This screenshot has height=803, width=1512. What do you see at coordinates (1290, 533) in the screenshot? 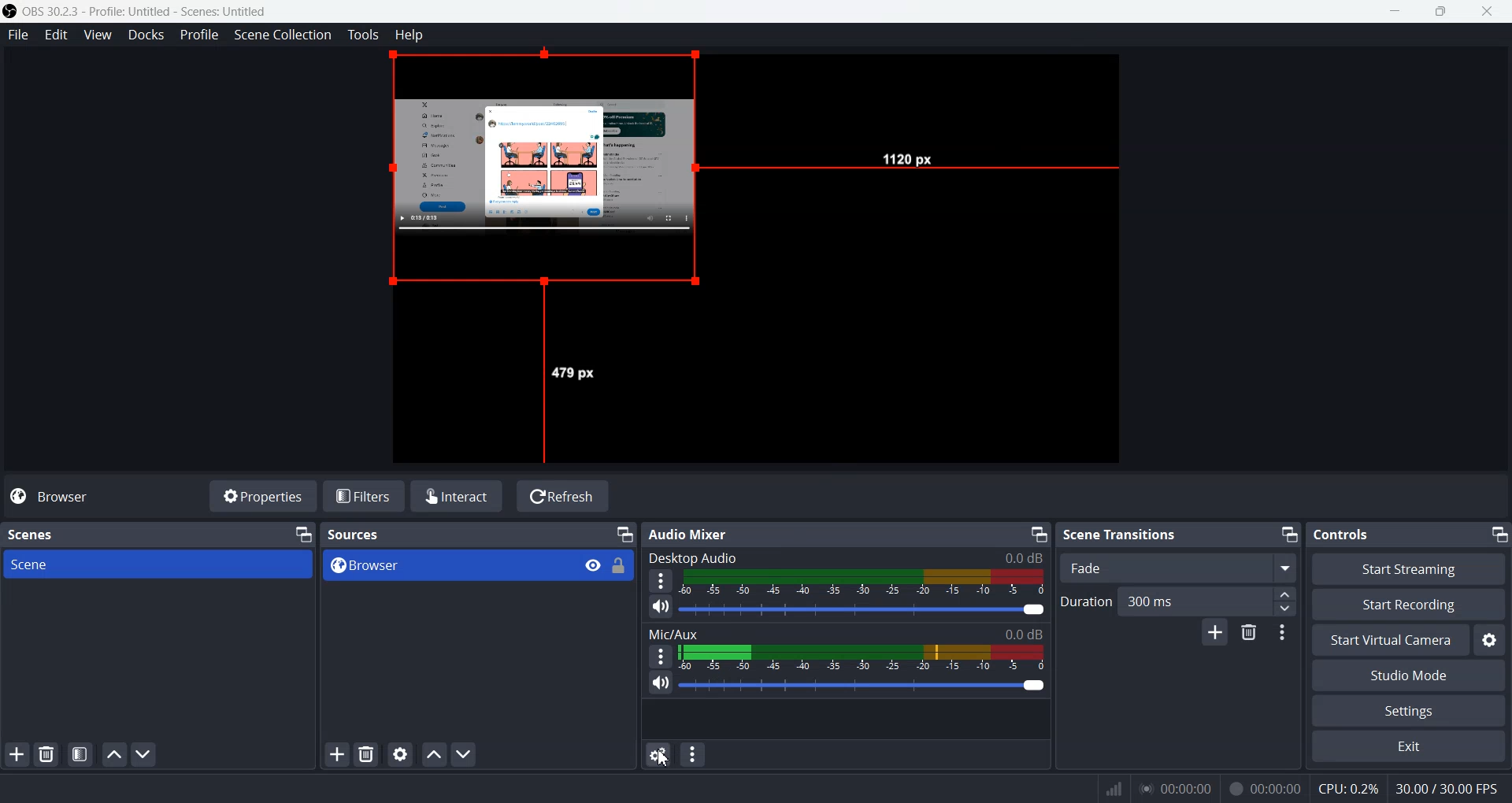
I see `Minimize` at bounding box center [1290, 533].